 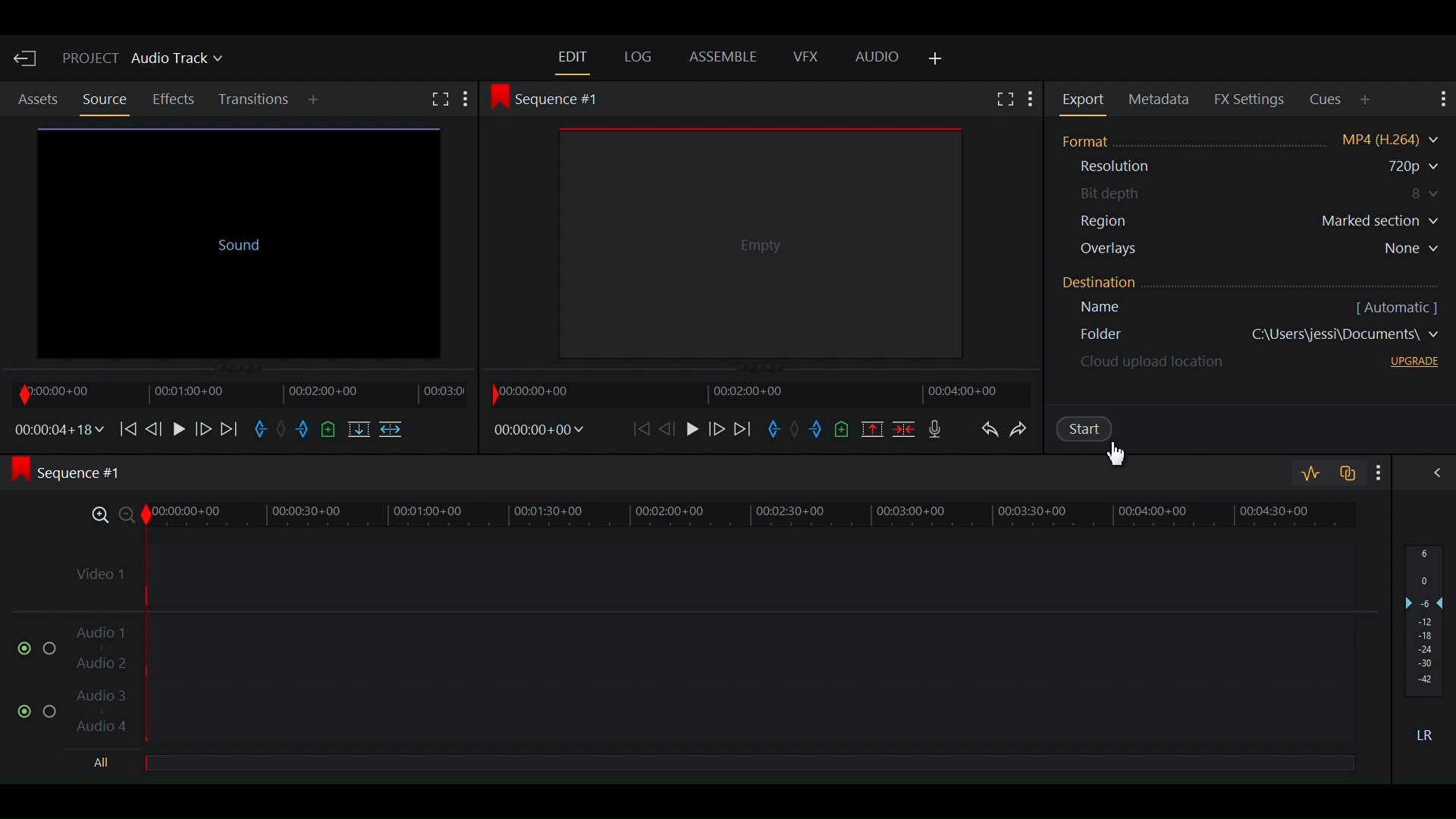 I want to click on Delete/Cut, so click(x=903, y=428).